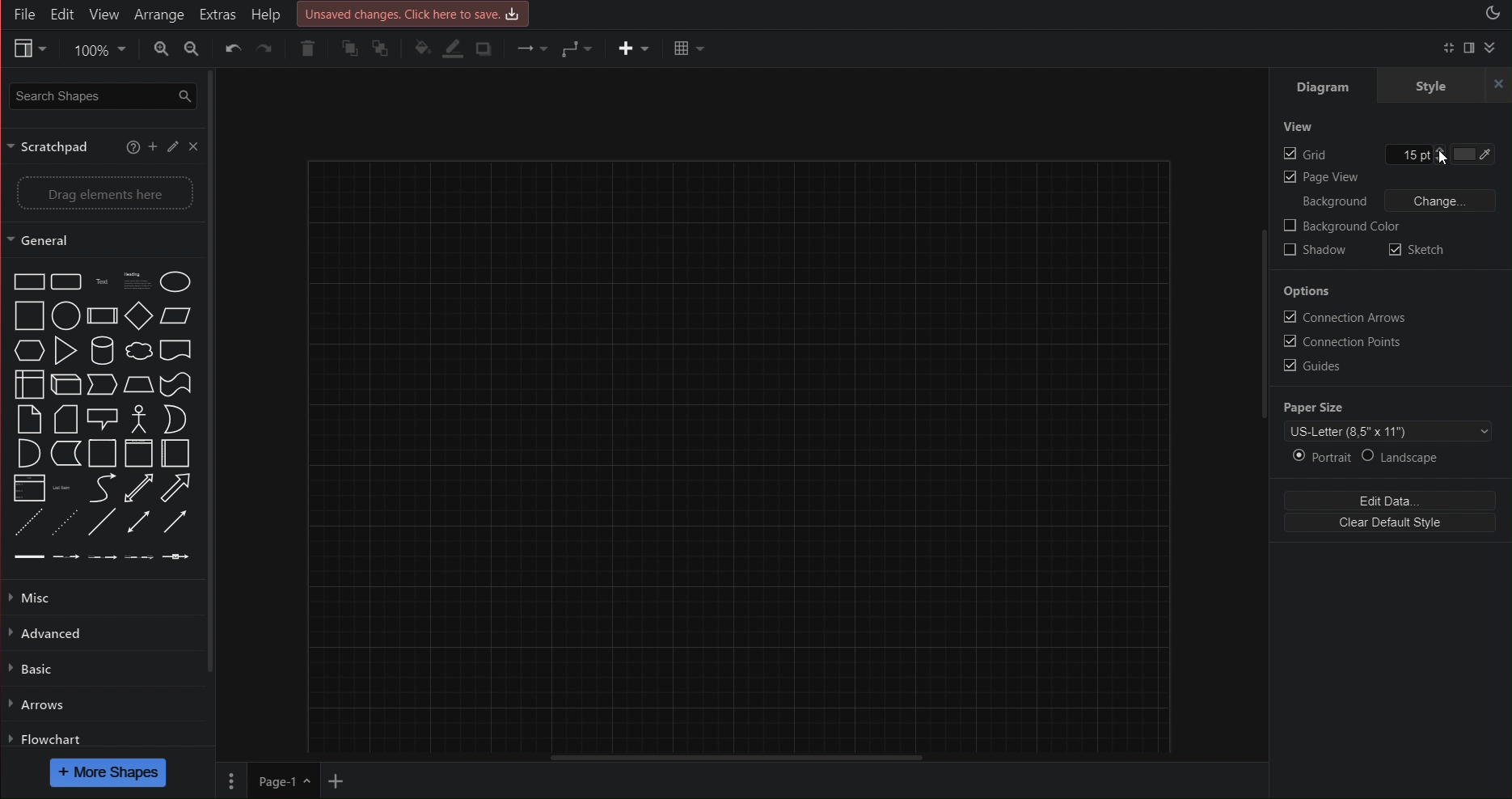 The image size is (1512, 799). I want to click on More Shapes, so click(110, 773).